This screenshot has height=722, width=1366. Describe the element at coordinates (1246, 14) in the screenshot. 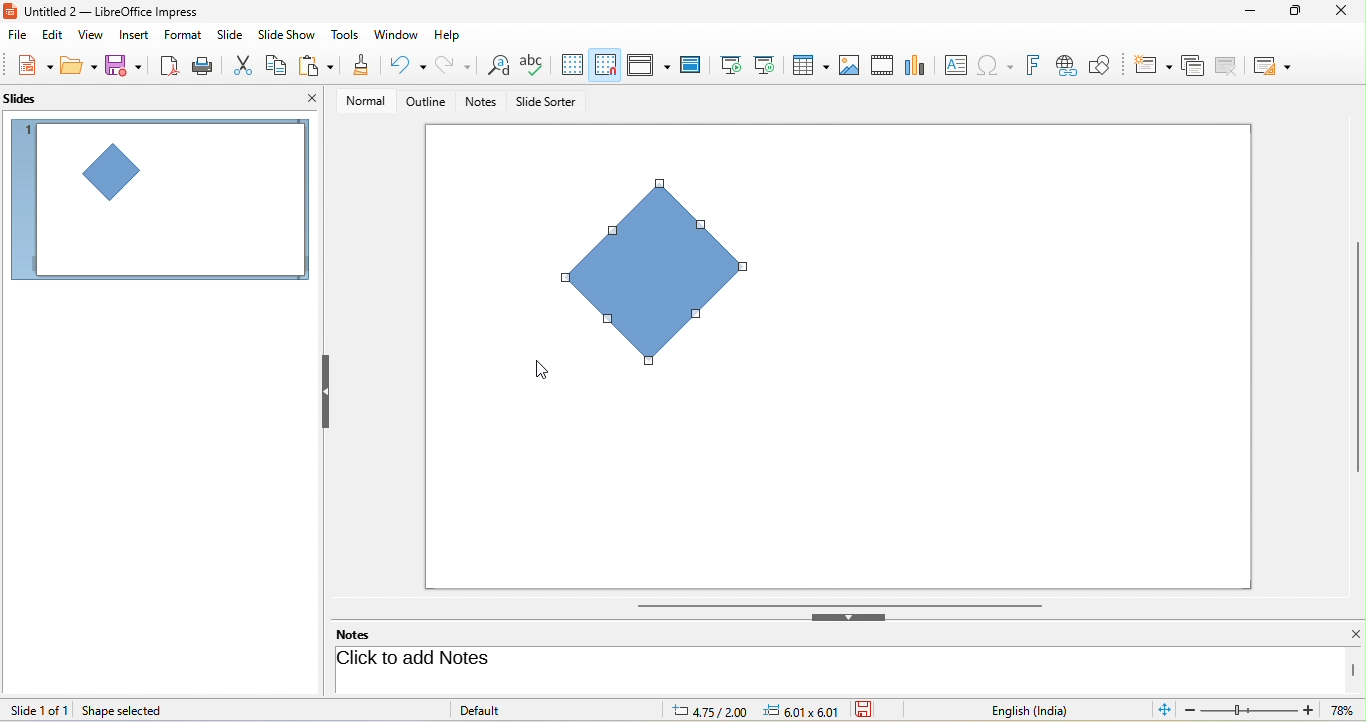

I see `minimize` at that location.